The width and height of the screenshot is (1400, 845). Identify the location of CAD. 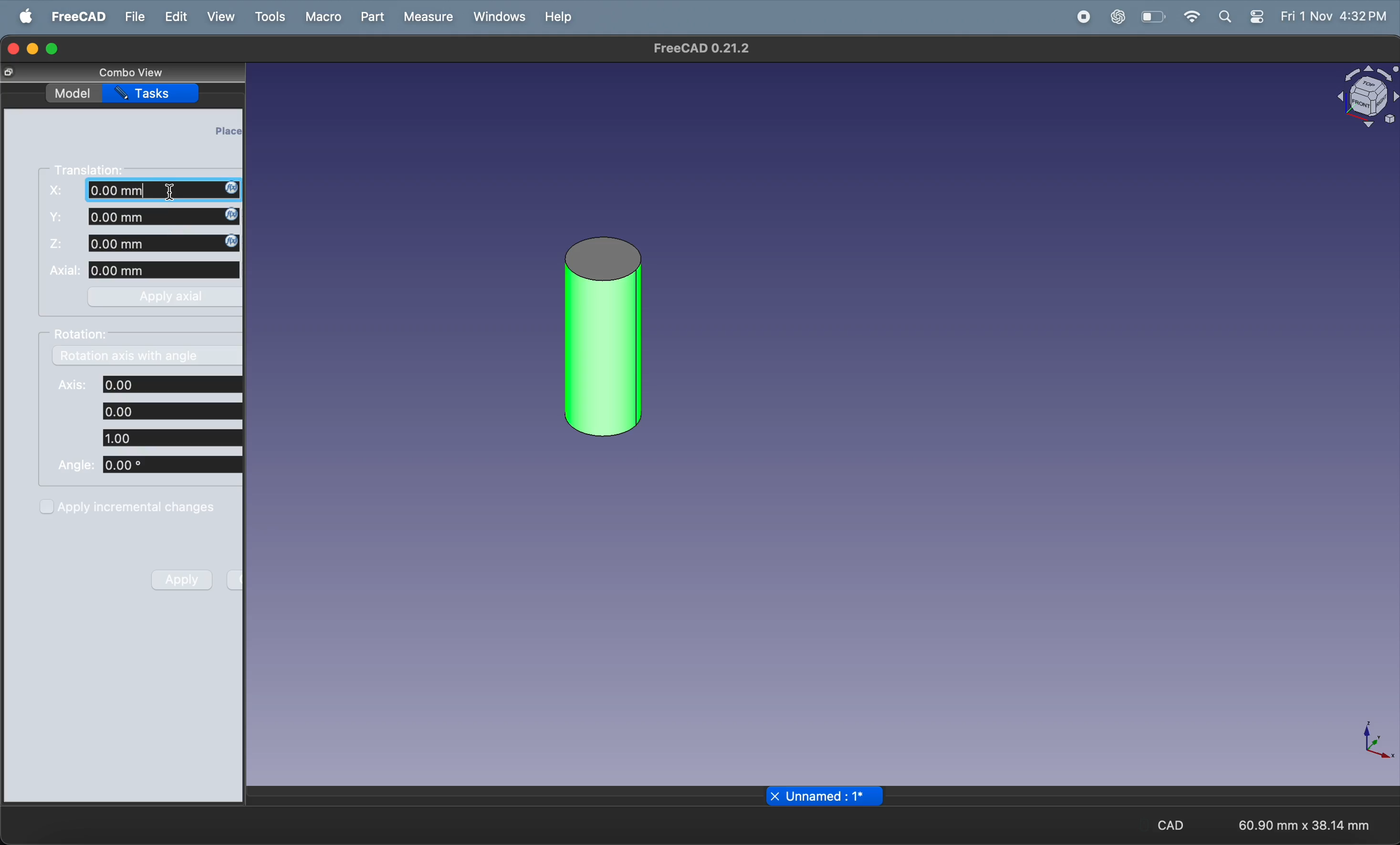
(1163, 824).